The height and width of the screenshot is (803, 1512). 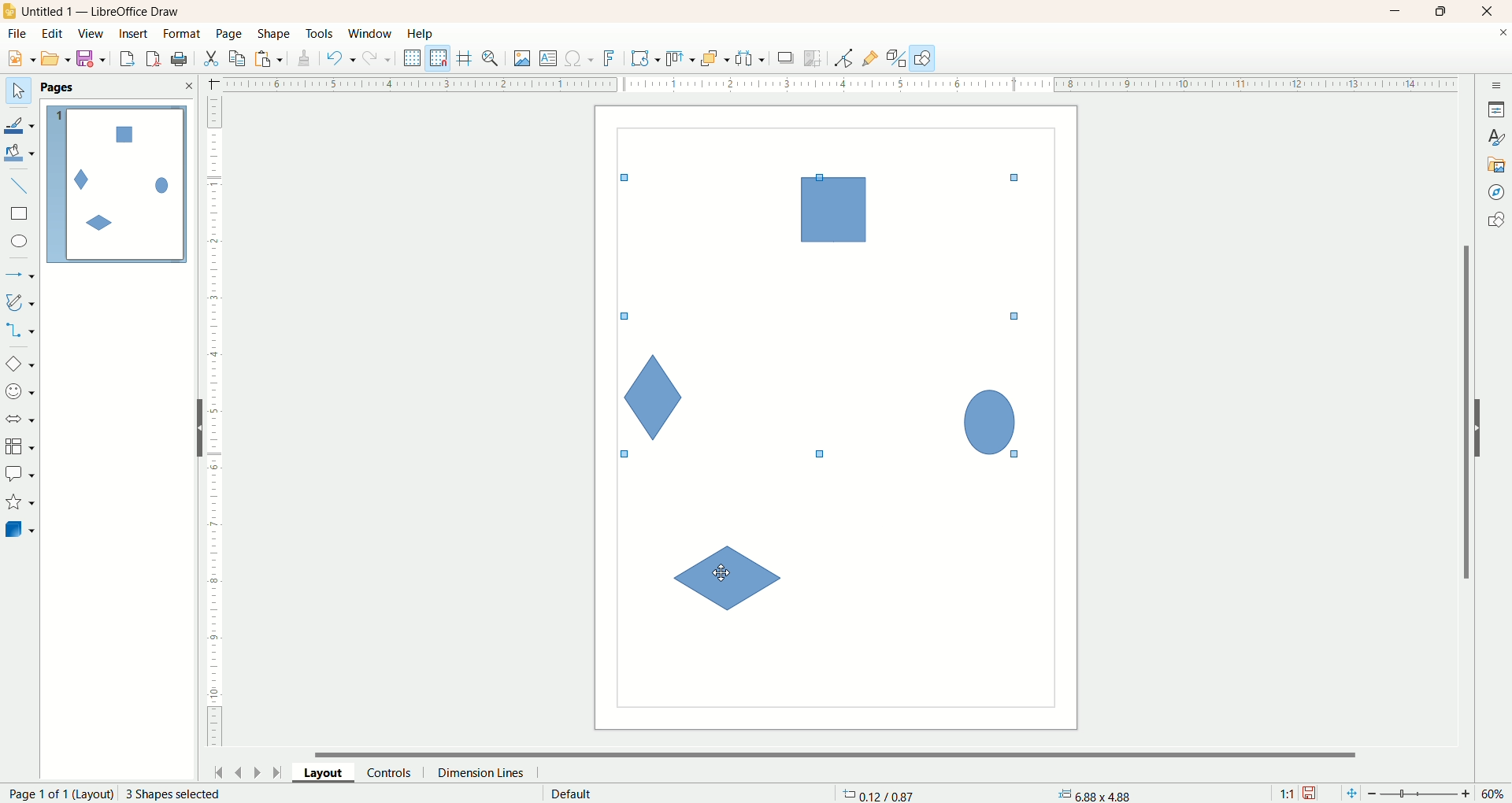 What do you see at coordinates (1491, 12) in the screenshot?
I see `close` at bounding box center [1491, 12].